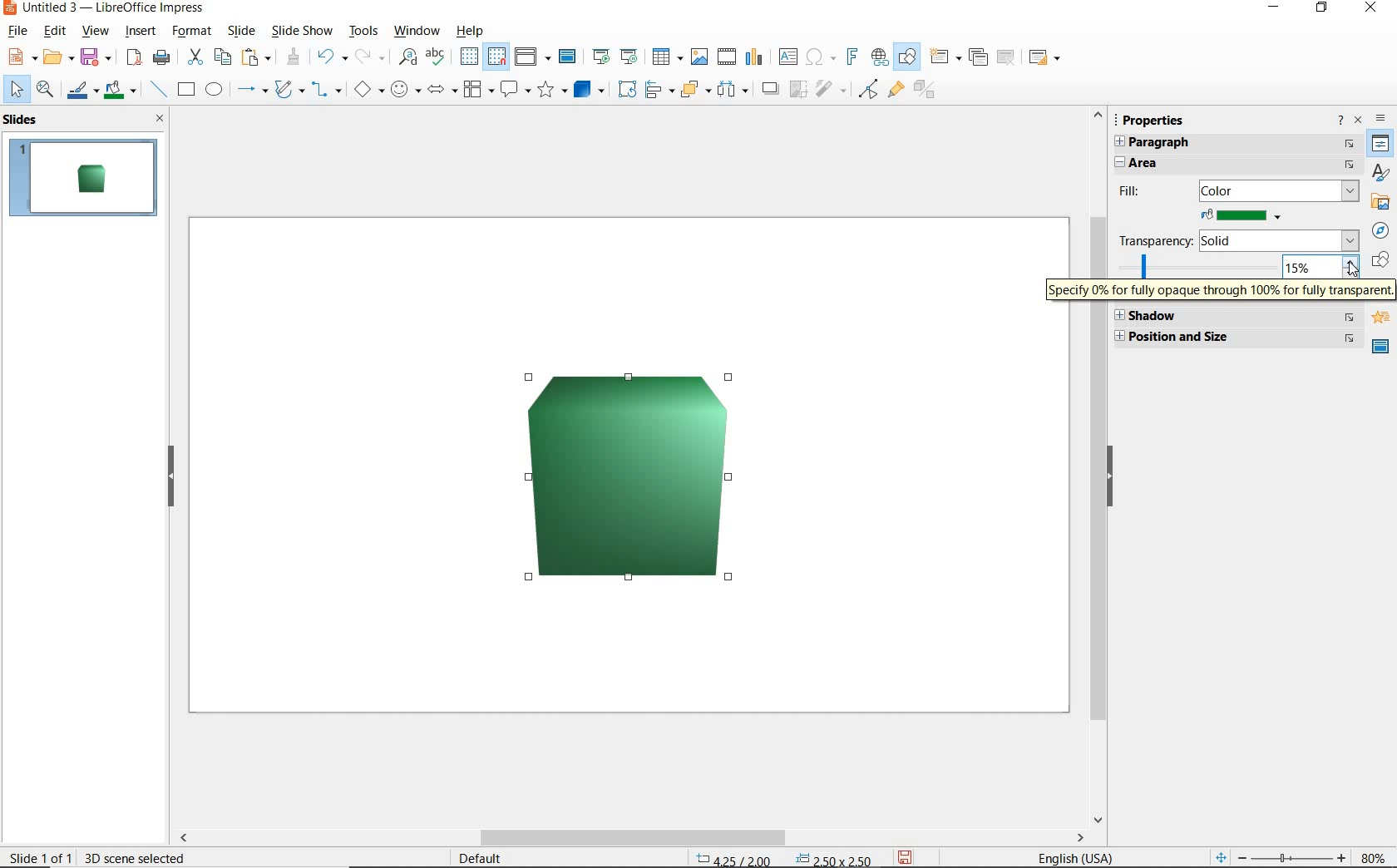 This screenshot has height=868, width=1397. What do you see at coordinates (185, 90) in the screenshot?
I see `rectangle` at bounding box center [185, 90].